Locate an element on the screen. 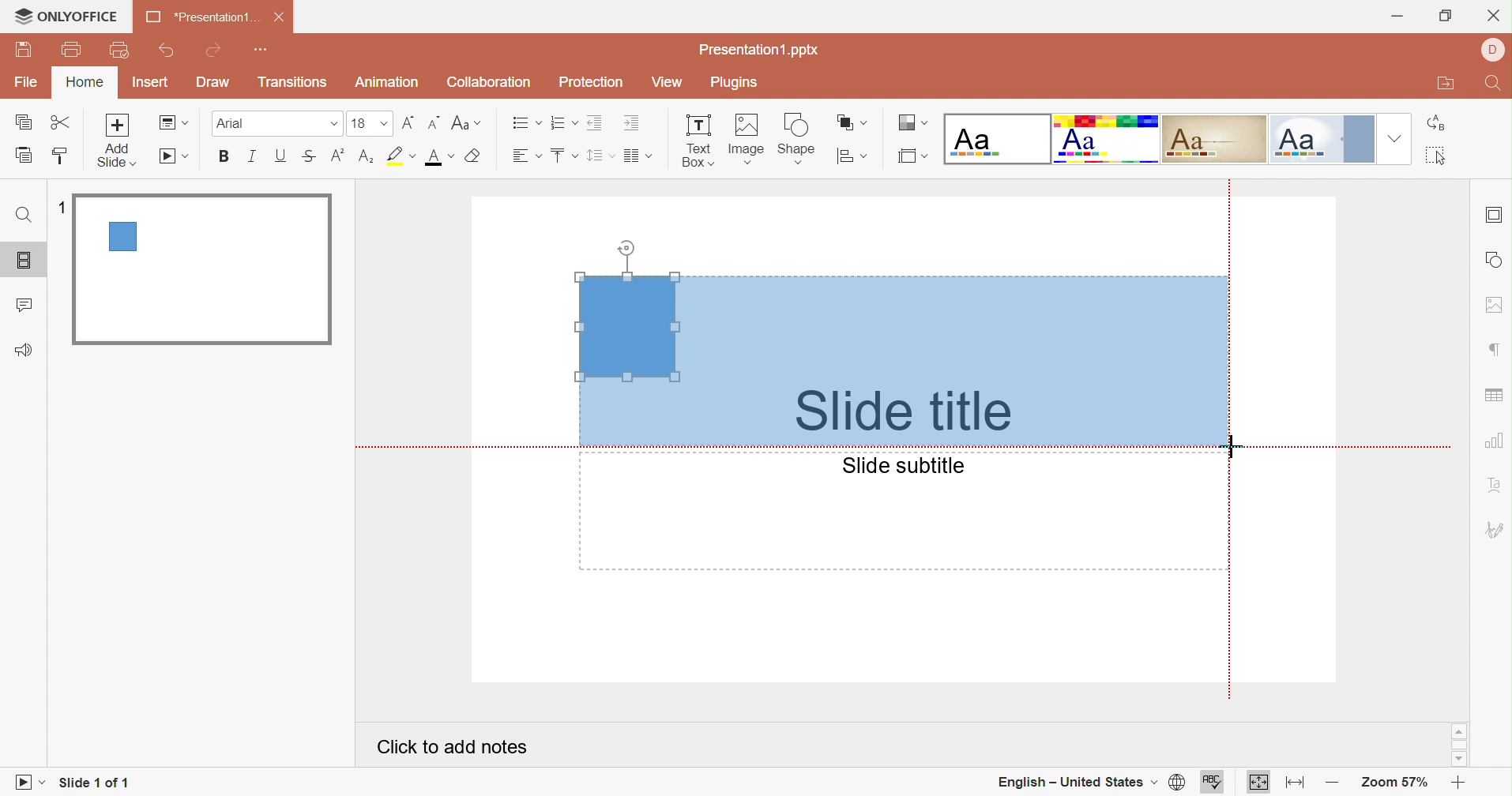  Text art settings is located at coordinates (1496, 484).